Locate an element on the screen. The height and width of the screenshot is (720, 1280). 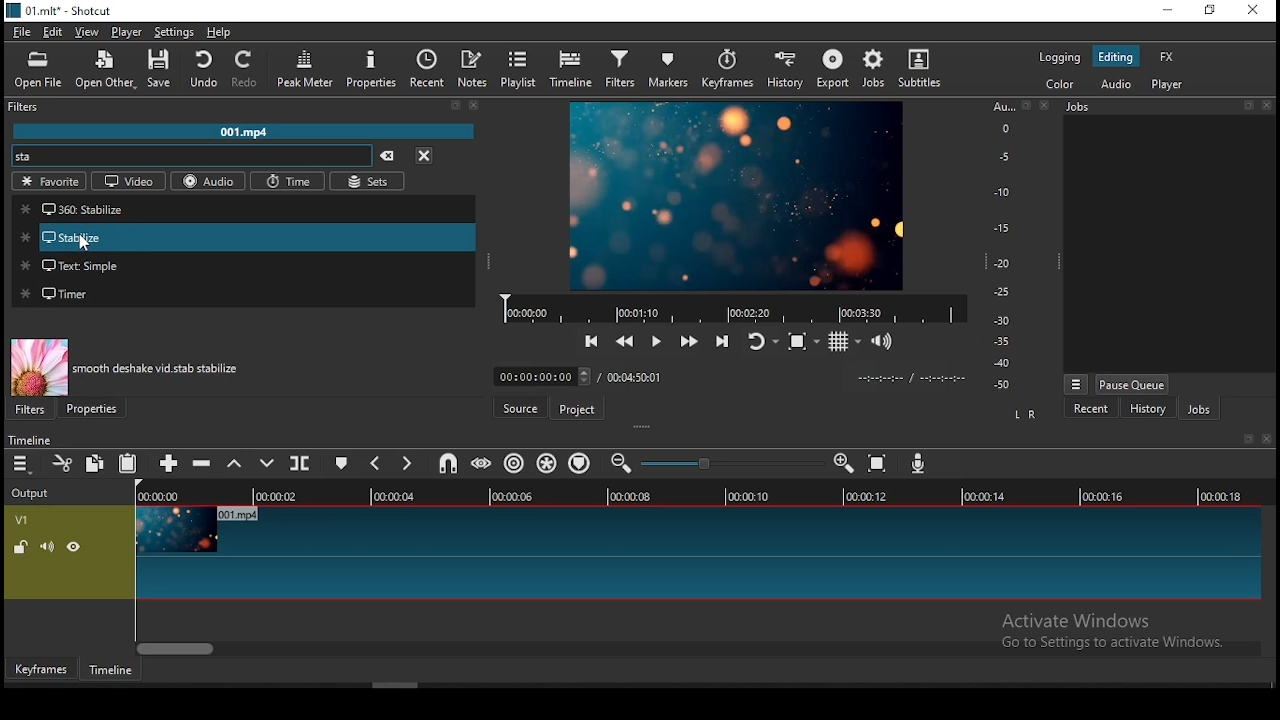
ripple delete is located at coordinates (203, 464).